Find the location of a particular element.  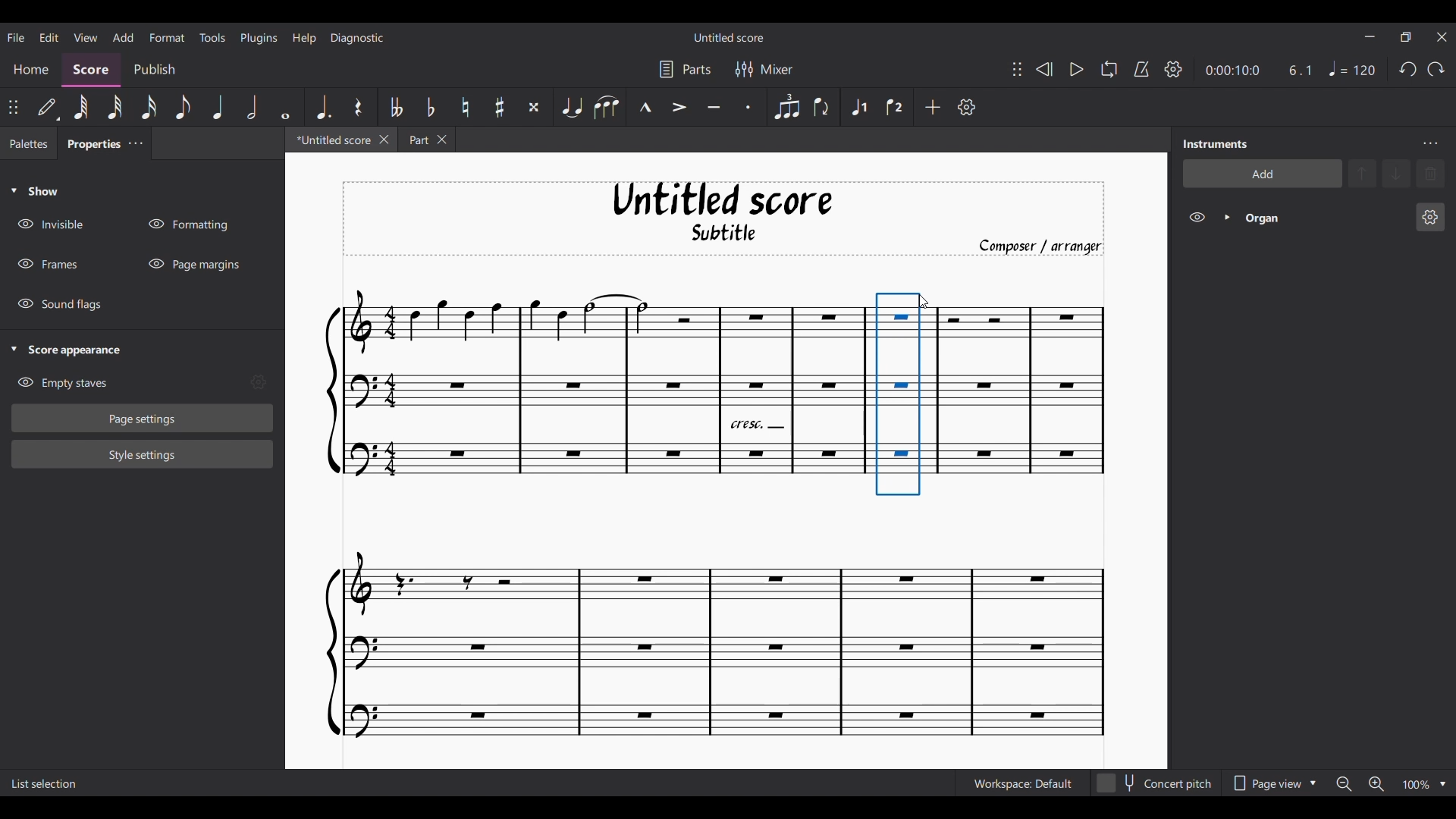

Toggle for Concert pitch is located at coordinates (1153, 783).